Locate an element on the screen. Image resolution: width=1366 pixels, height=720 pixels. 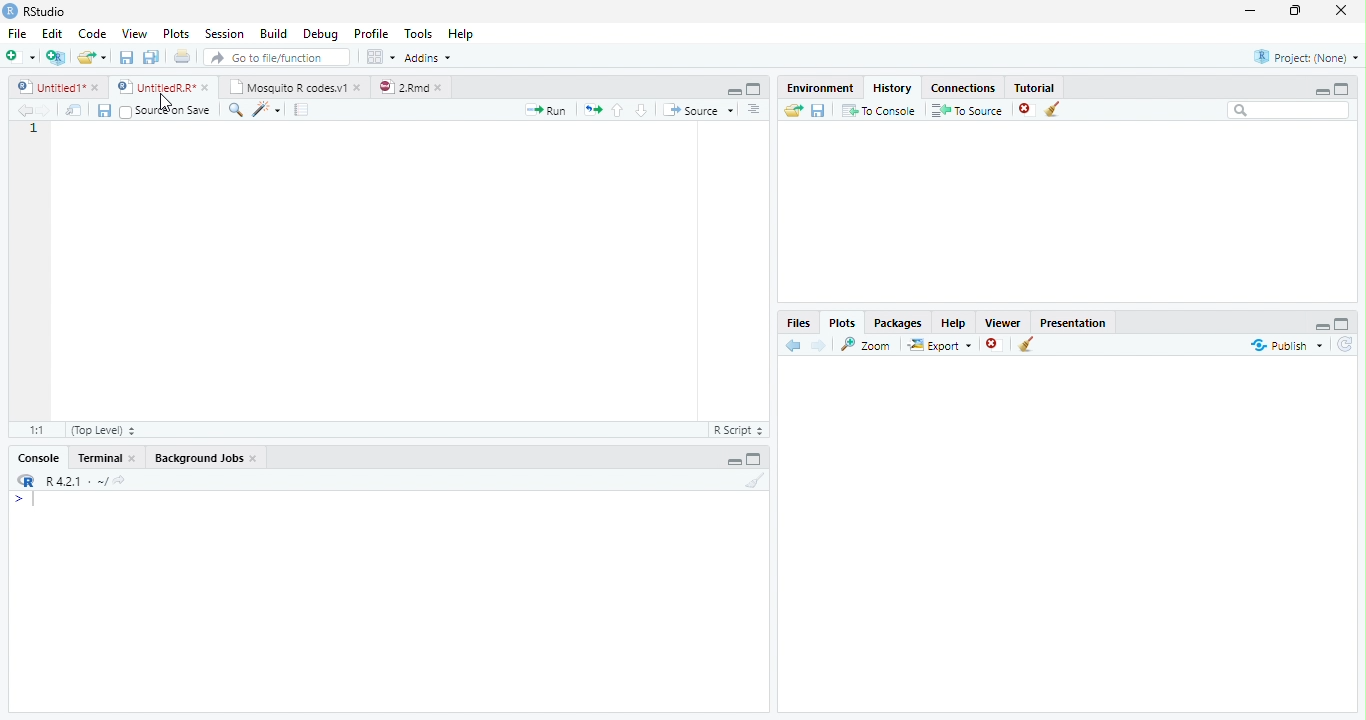
Profile is located at coordinates (374, 33).